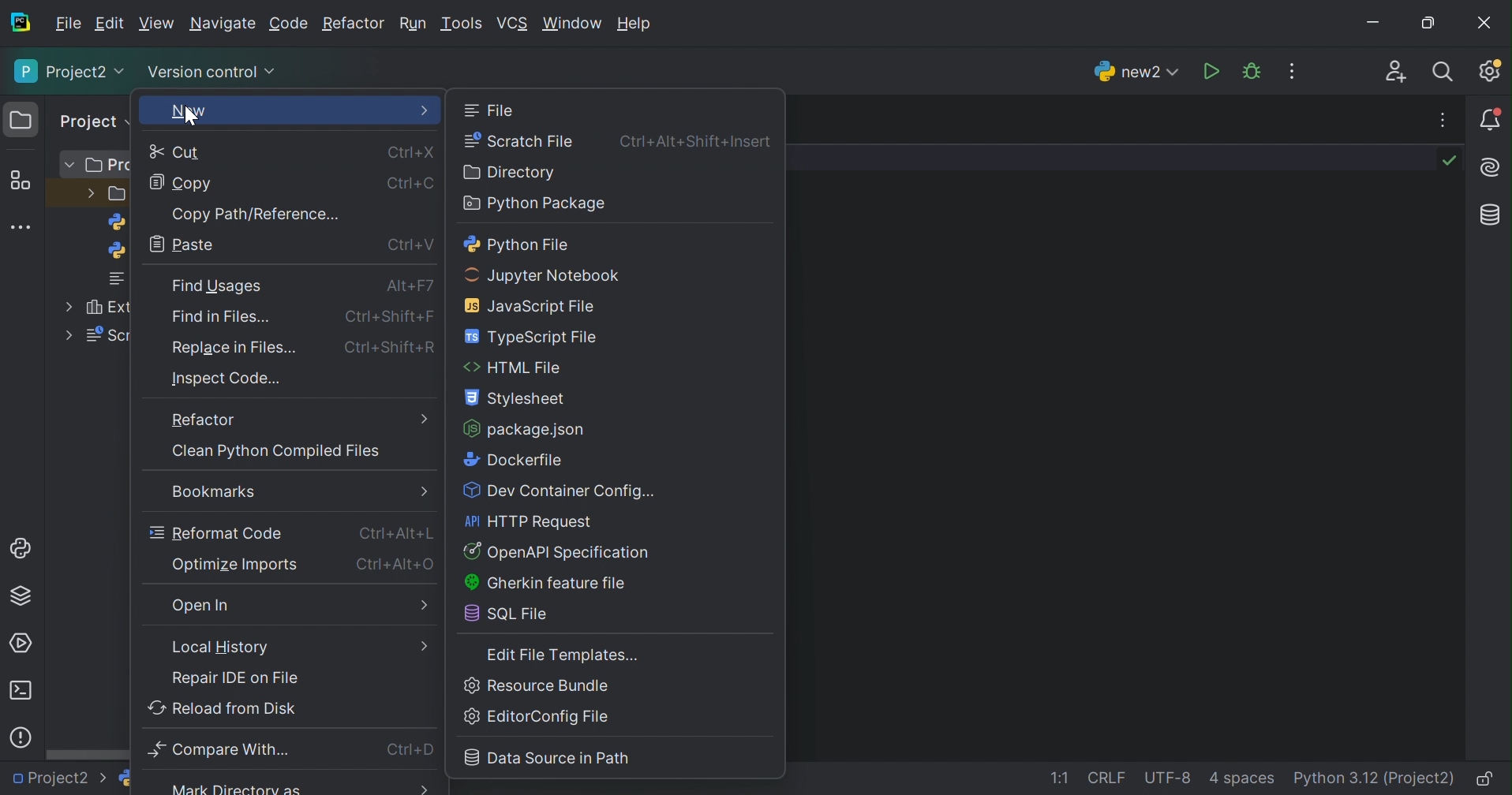 This screenshot has height=795, width=1512. What do you see at coordinates (237, 678) in the screenshot?
I see `Repair IDE on File` at bounding box center [237, 678].